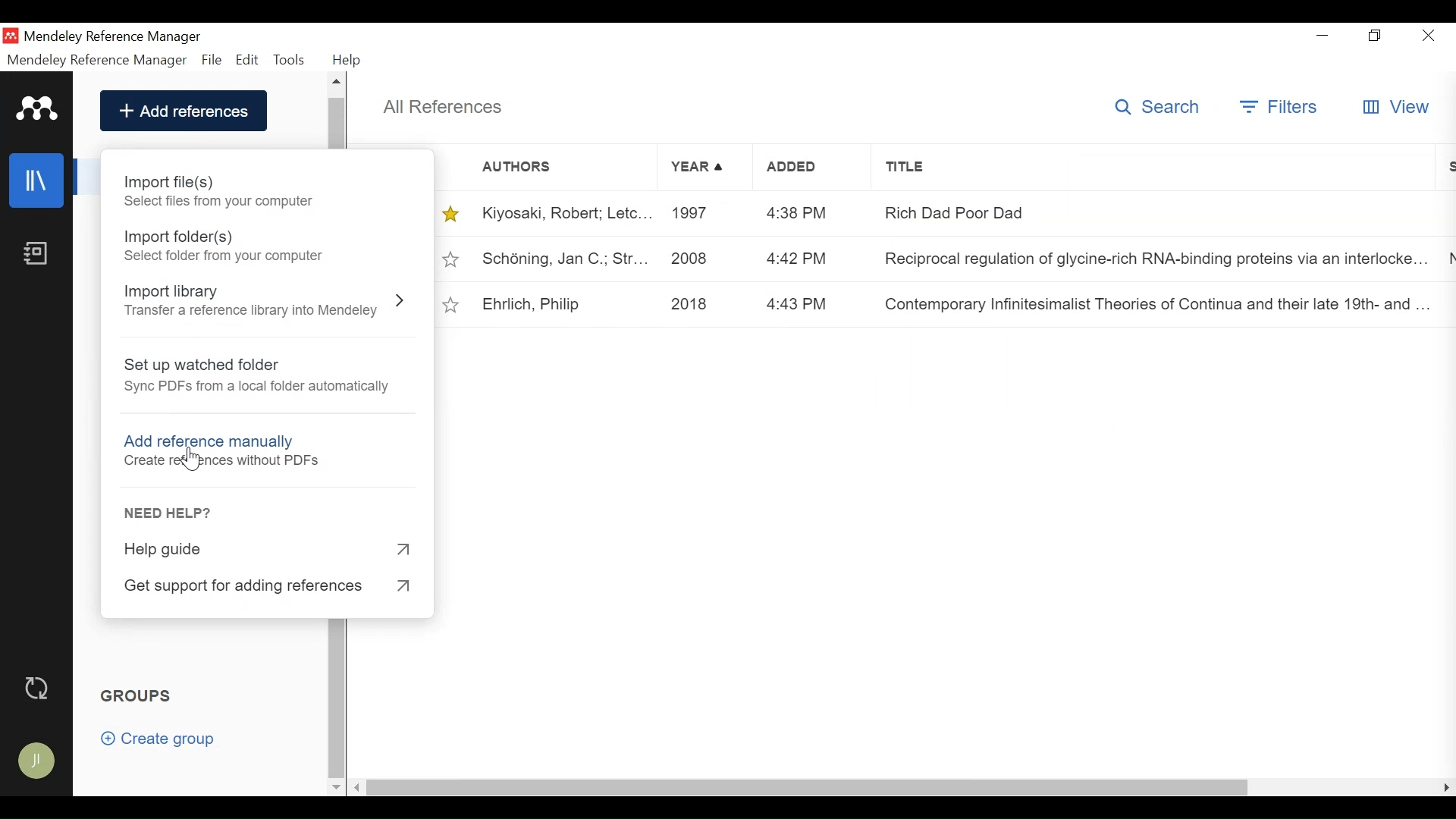 This screenshot has height=819, width=1456. Describe the element at coordinates (176, 182) in the screenshot. I see `Import Files` at that location.